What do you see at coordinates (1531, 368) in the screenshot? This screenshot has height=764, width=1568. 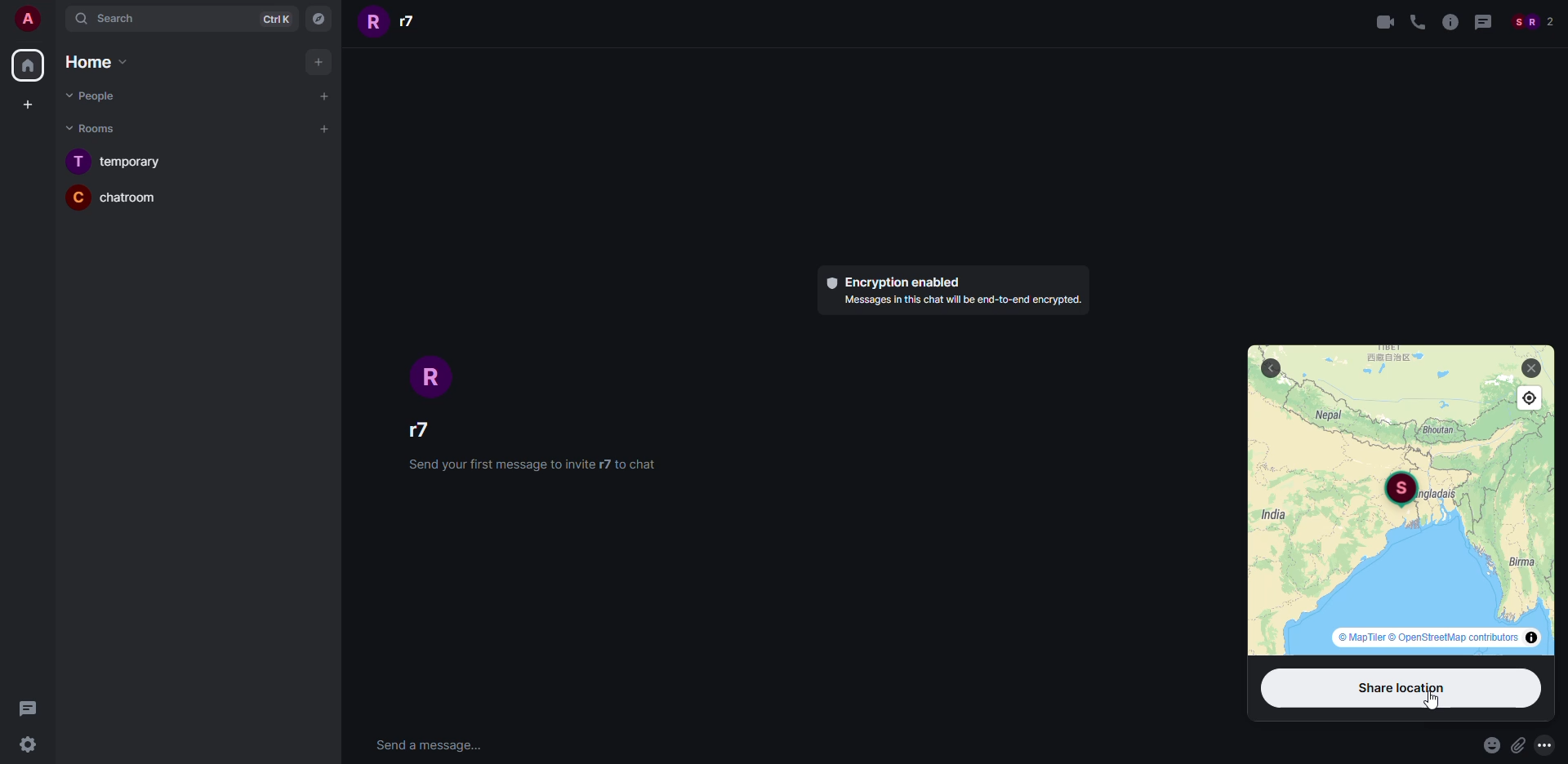 I see `close` at bounding box center [1531, 368].